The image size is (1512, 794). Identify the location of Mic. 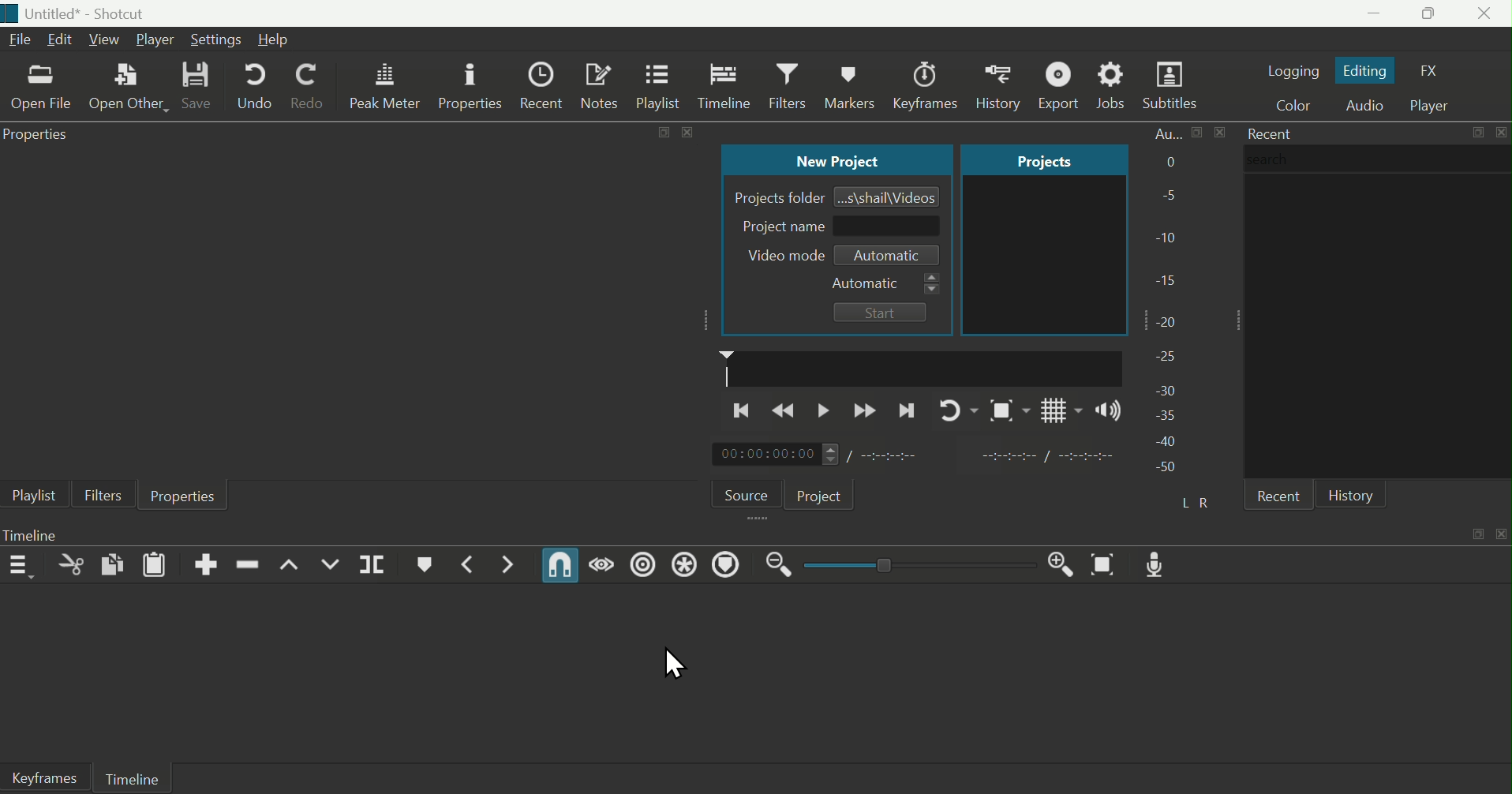
(1158, 564).